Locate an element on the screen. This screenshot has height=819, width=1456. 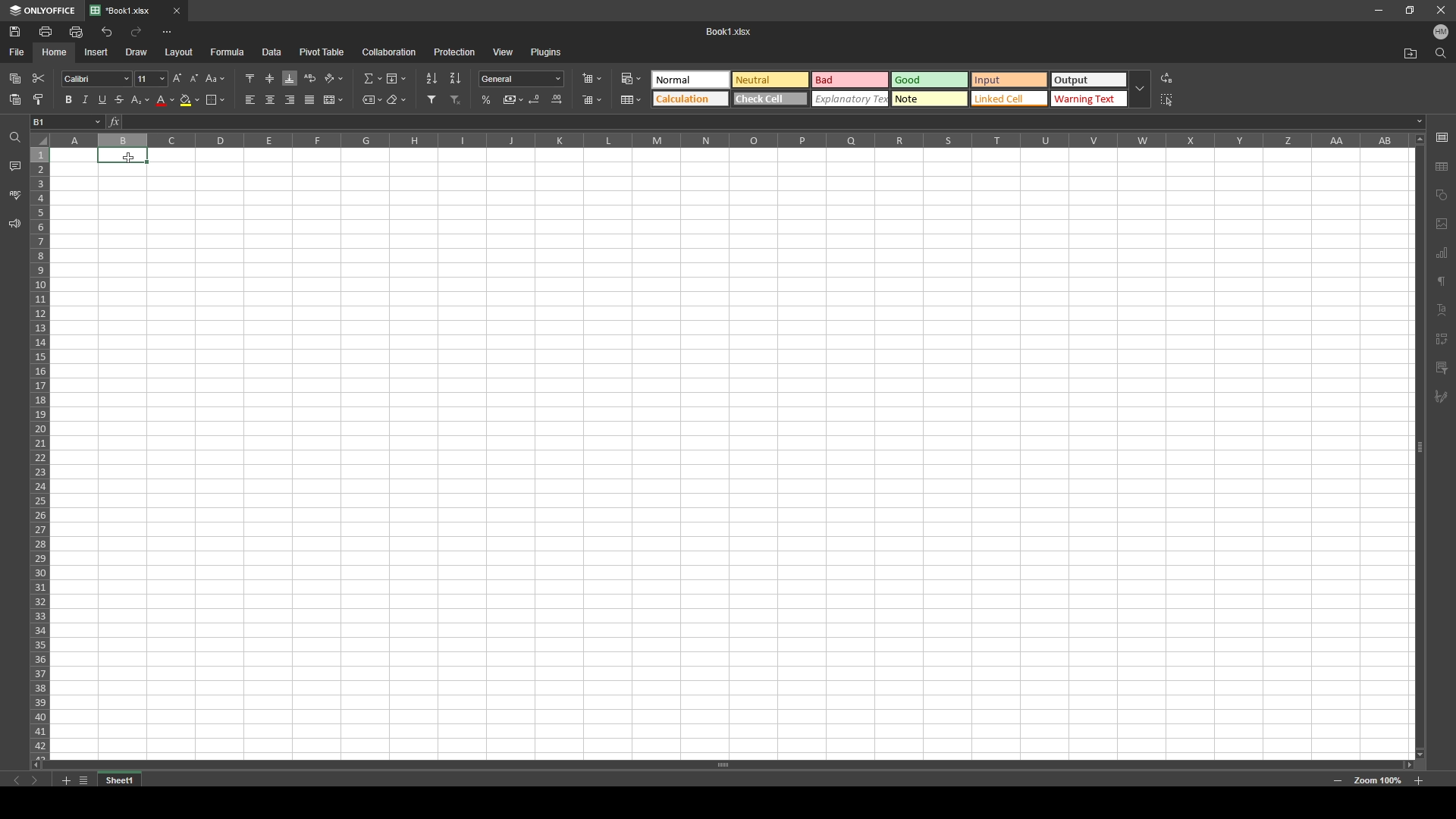
more options is located at coordinates (168, 33).